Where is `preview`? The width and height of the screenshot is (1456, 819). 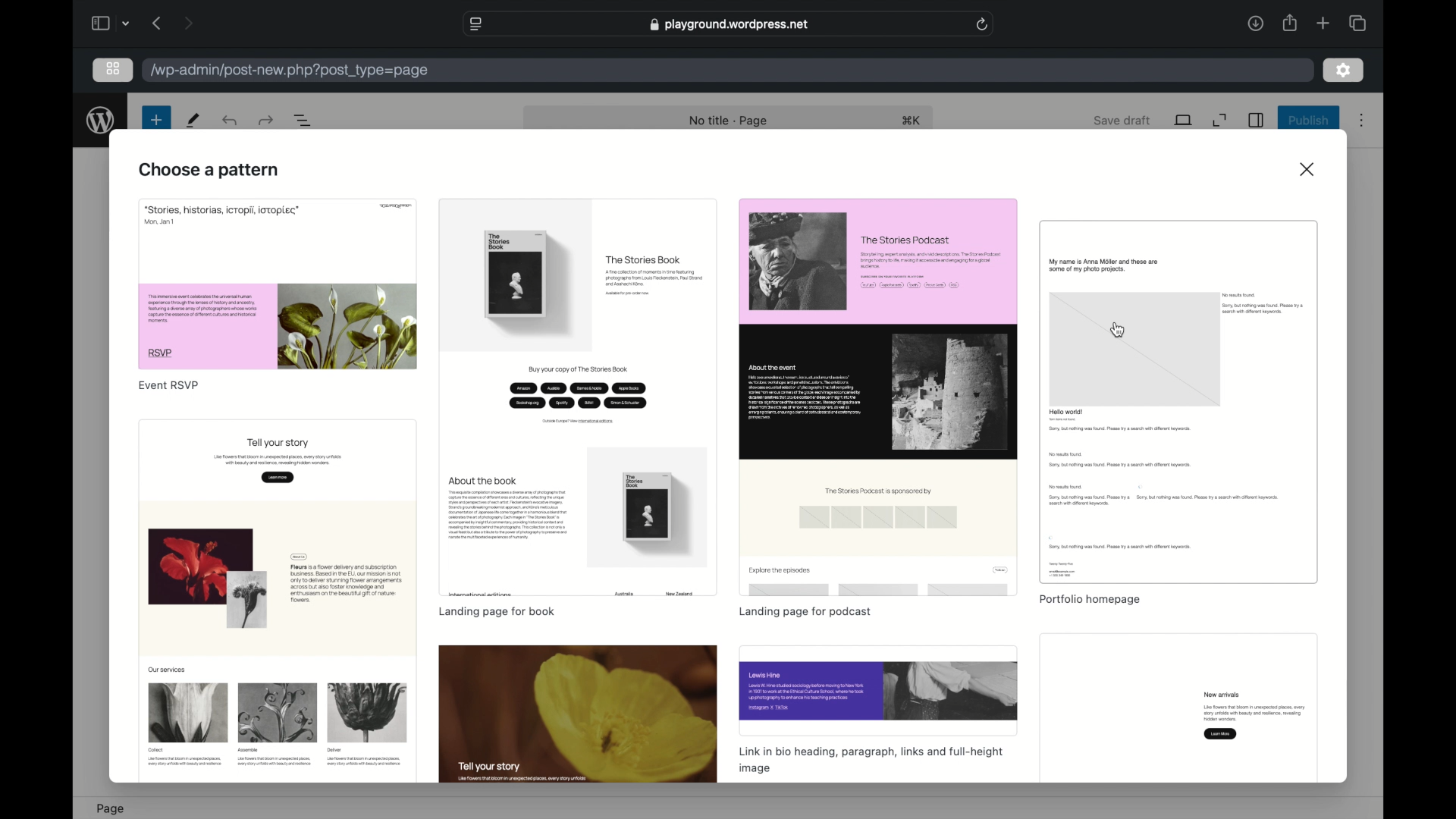 preview is located at coordinates (579, 714).